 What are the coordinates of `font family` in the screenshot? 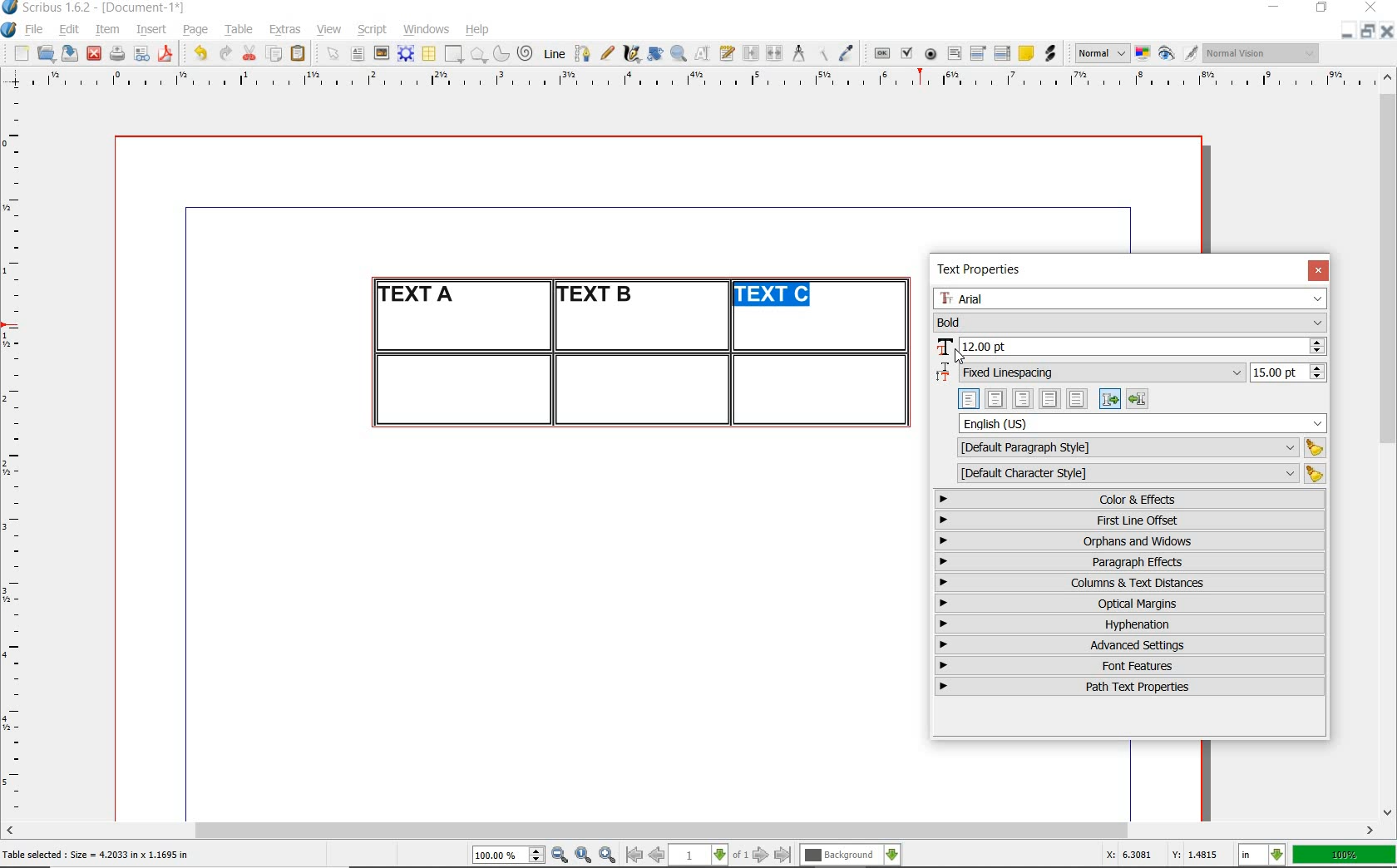 It's located at (1132, 298).